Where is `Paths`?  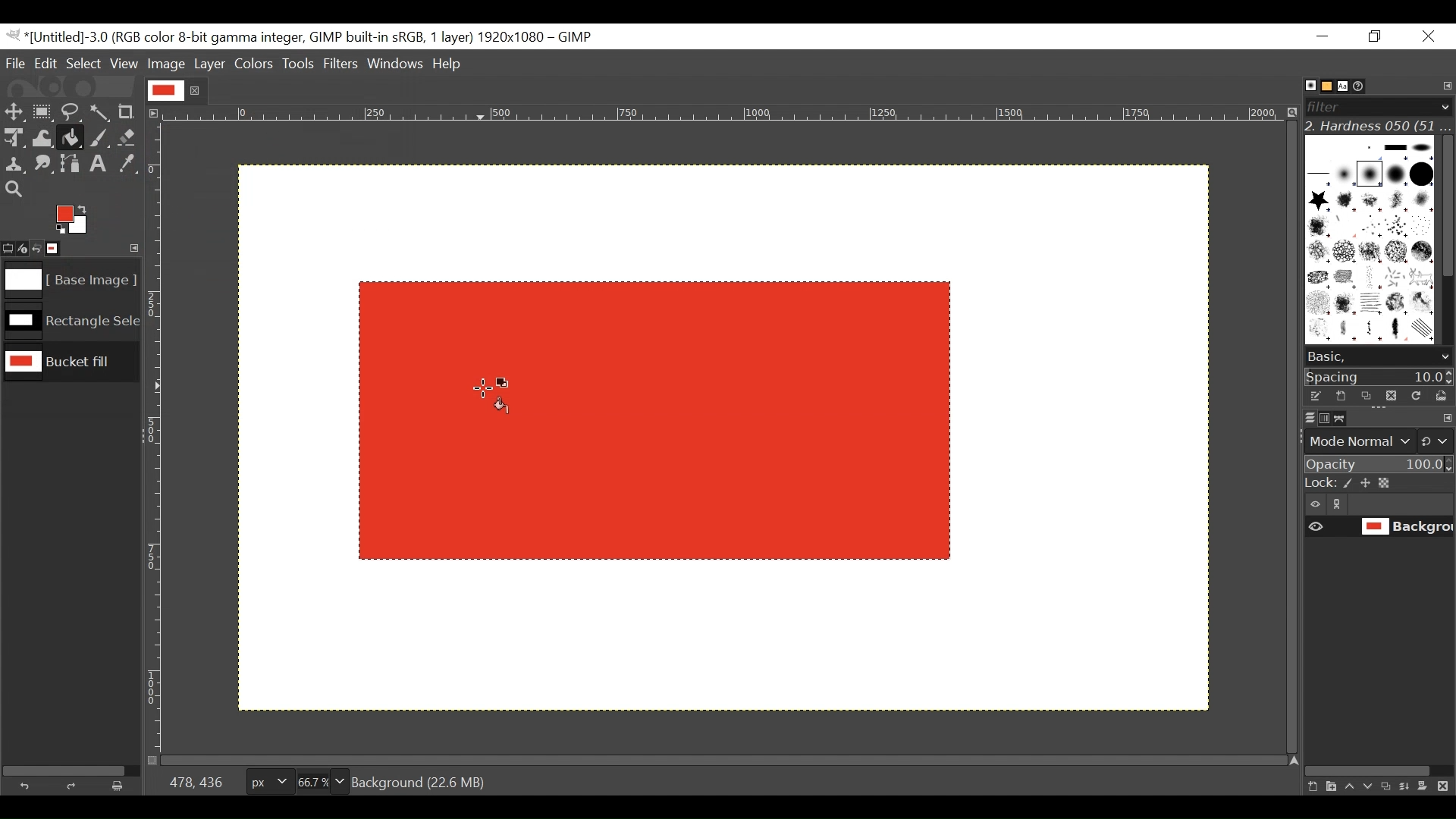
Paths is located at coordinates (1344, 419).